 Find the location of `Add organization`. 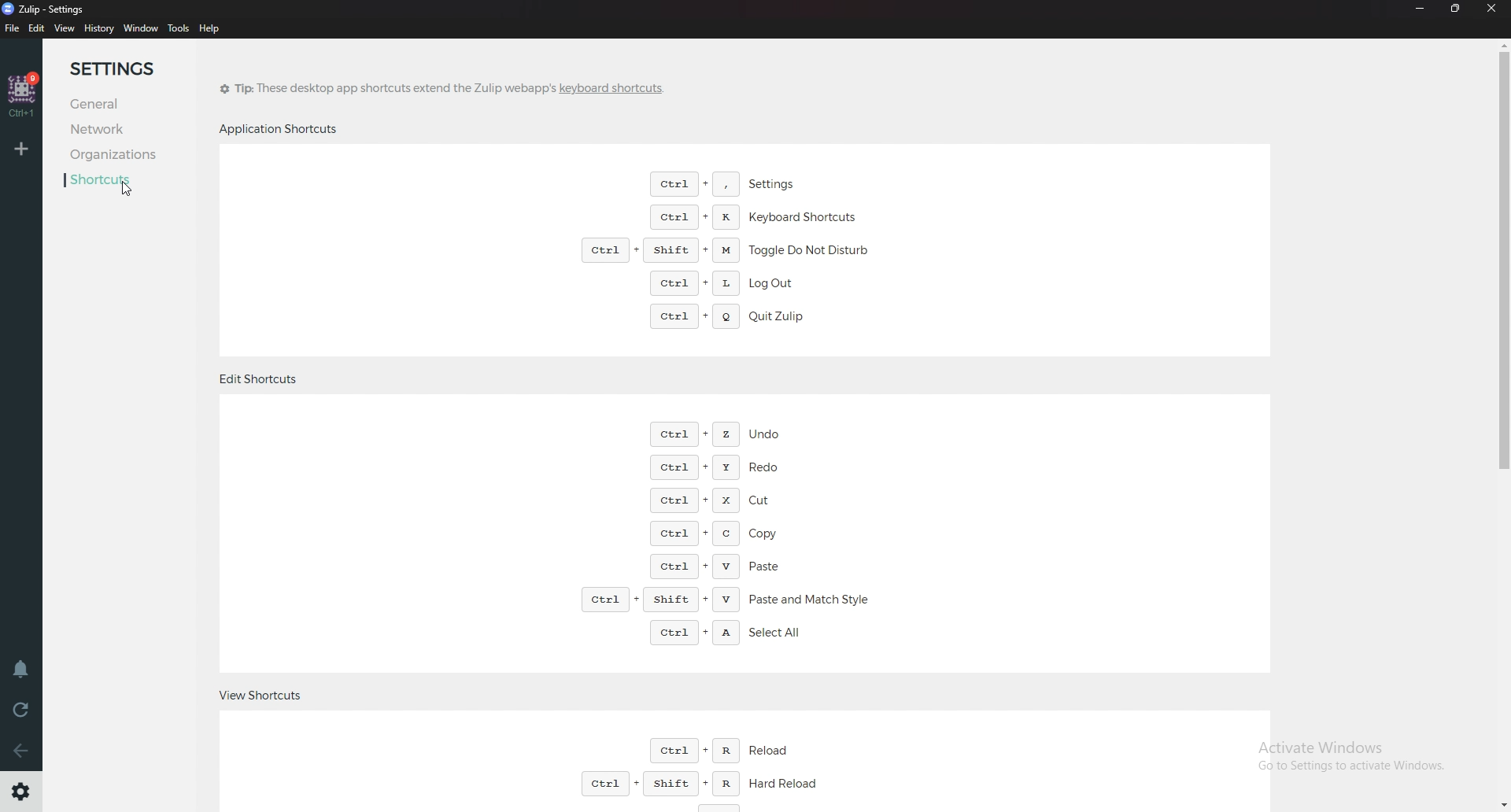

Add organization is located at coordinates (20, 149).